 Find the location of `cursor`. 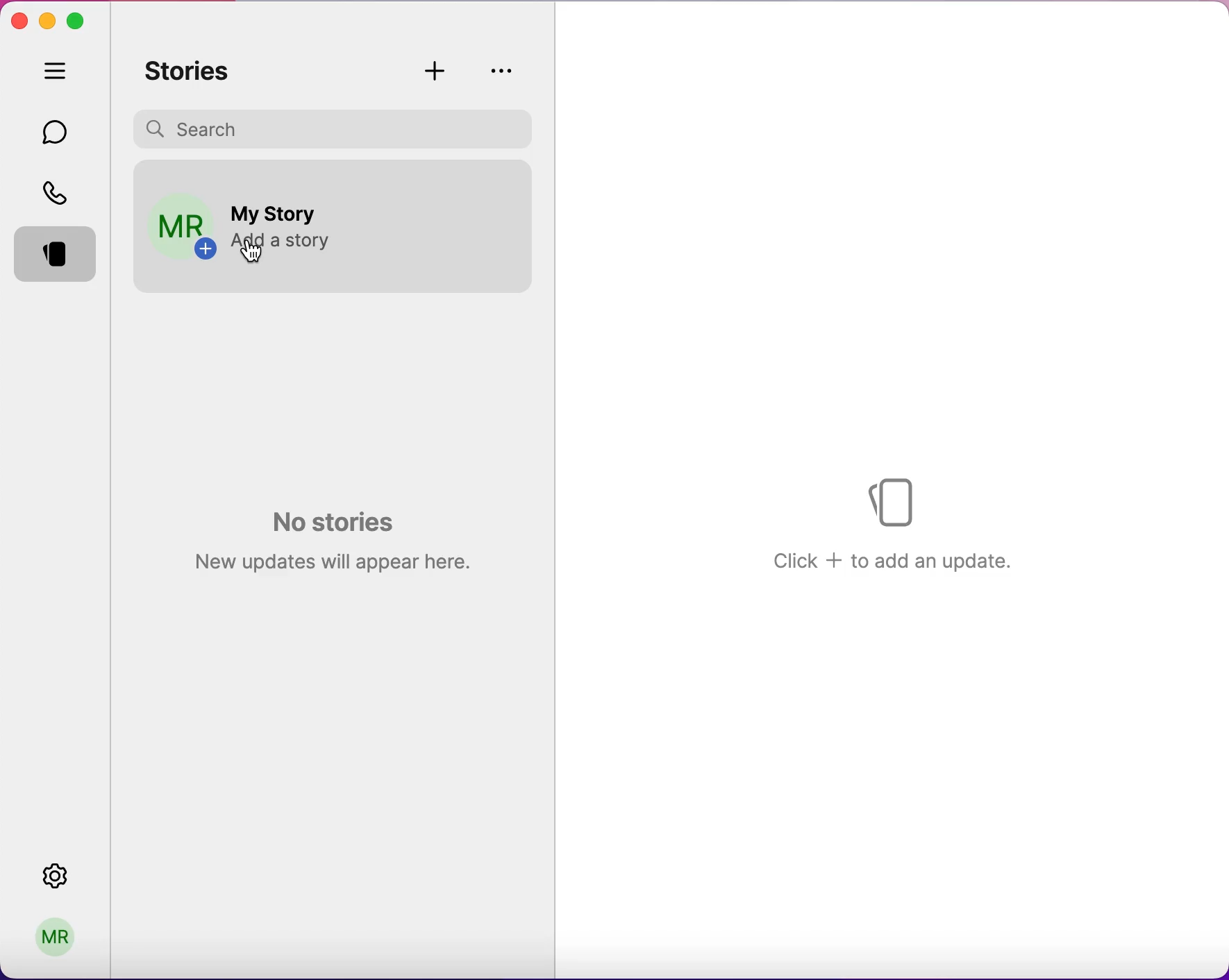

cursor is located at coordinates (256, 255).